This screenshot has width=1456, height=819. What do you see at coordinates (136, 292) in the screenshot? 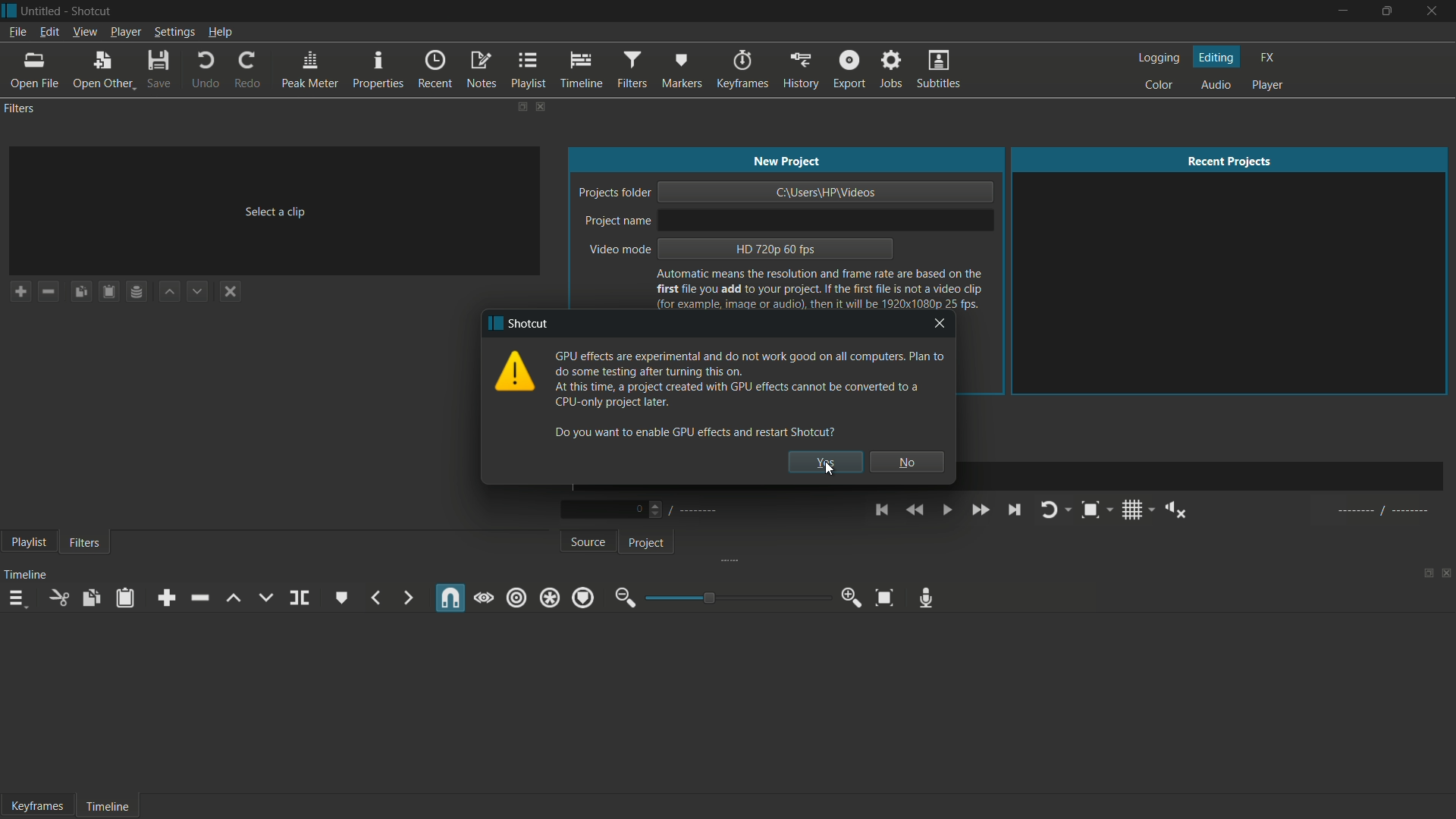
I see `save filter set` at bounding box center [136, 292].